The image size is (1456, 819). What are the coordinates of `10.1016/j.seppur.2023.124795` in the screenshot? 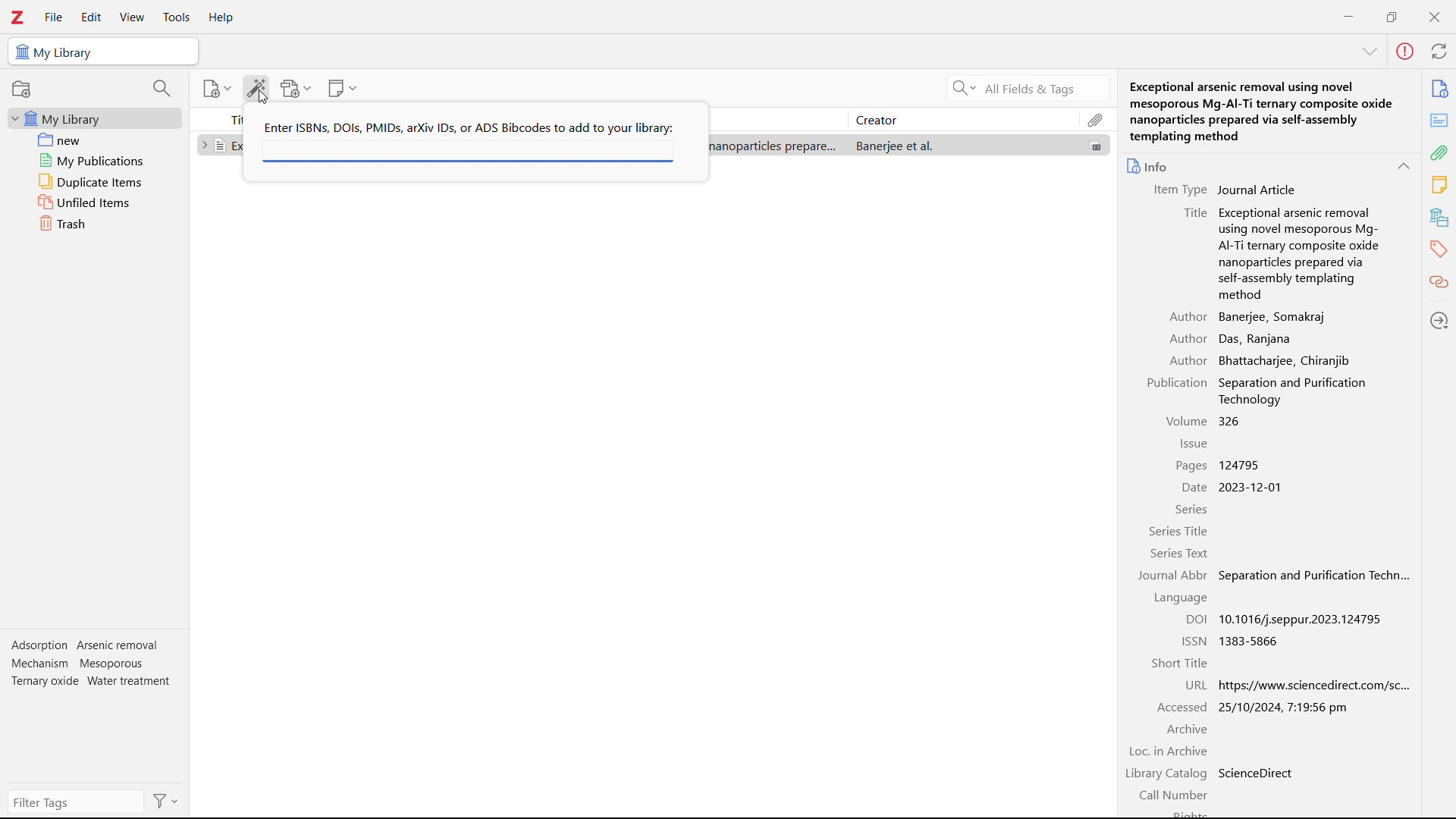 It's located at (1303, 619).